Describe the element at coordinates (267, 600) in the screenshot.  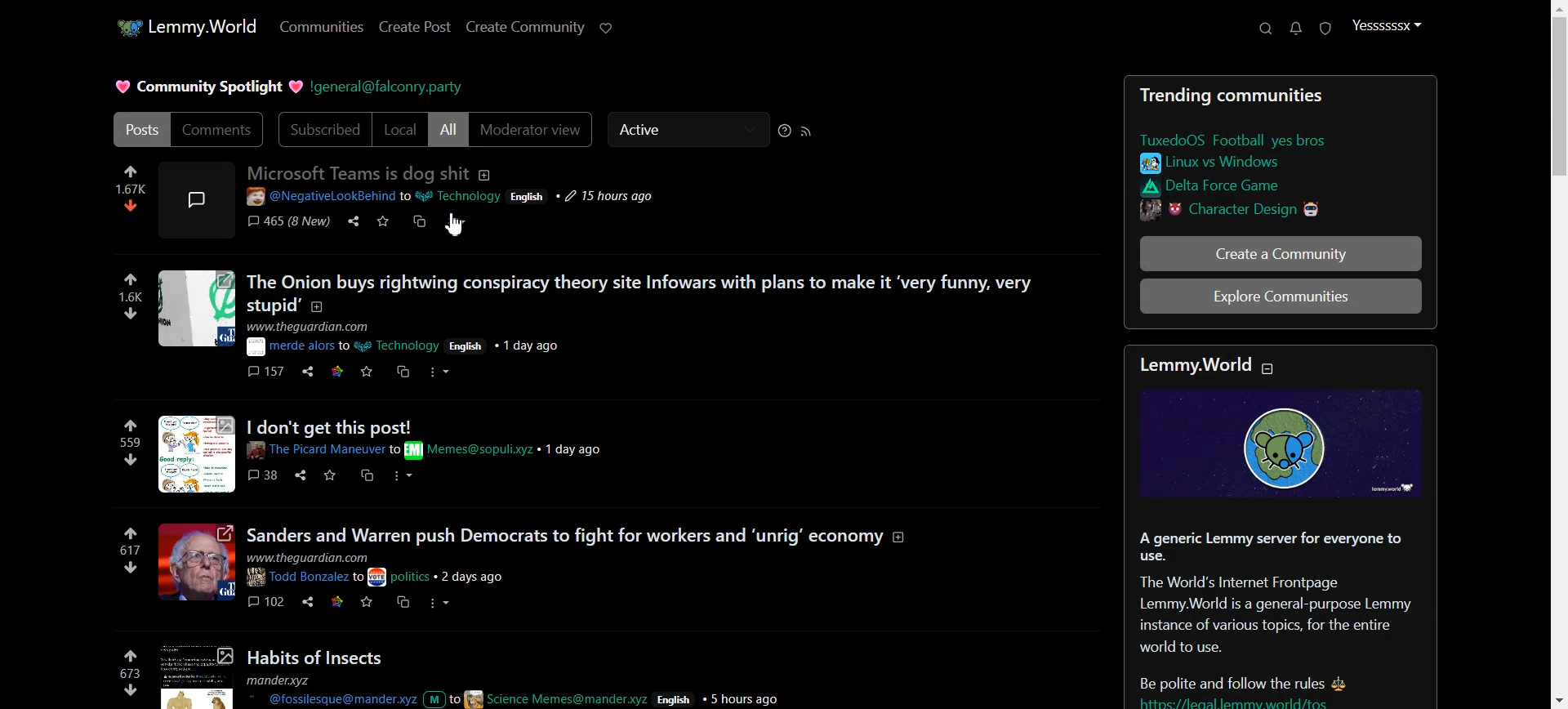
I see `comments` at that location.